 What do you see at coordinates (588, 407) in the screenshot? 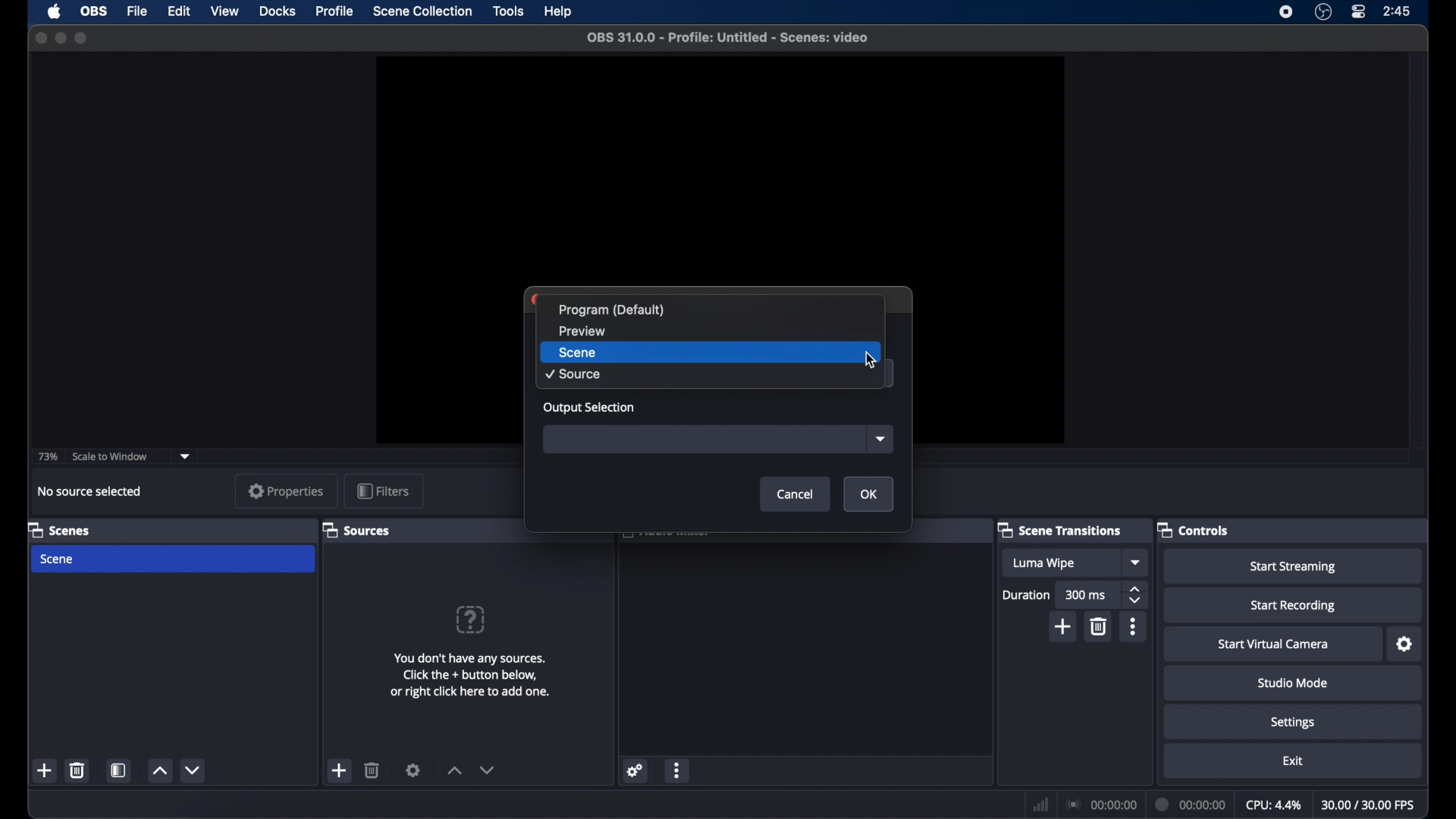
I see `output selection` at bounding box center [588, 407].